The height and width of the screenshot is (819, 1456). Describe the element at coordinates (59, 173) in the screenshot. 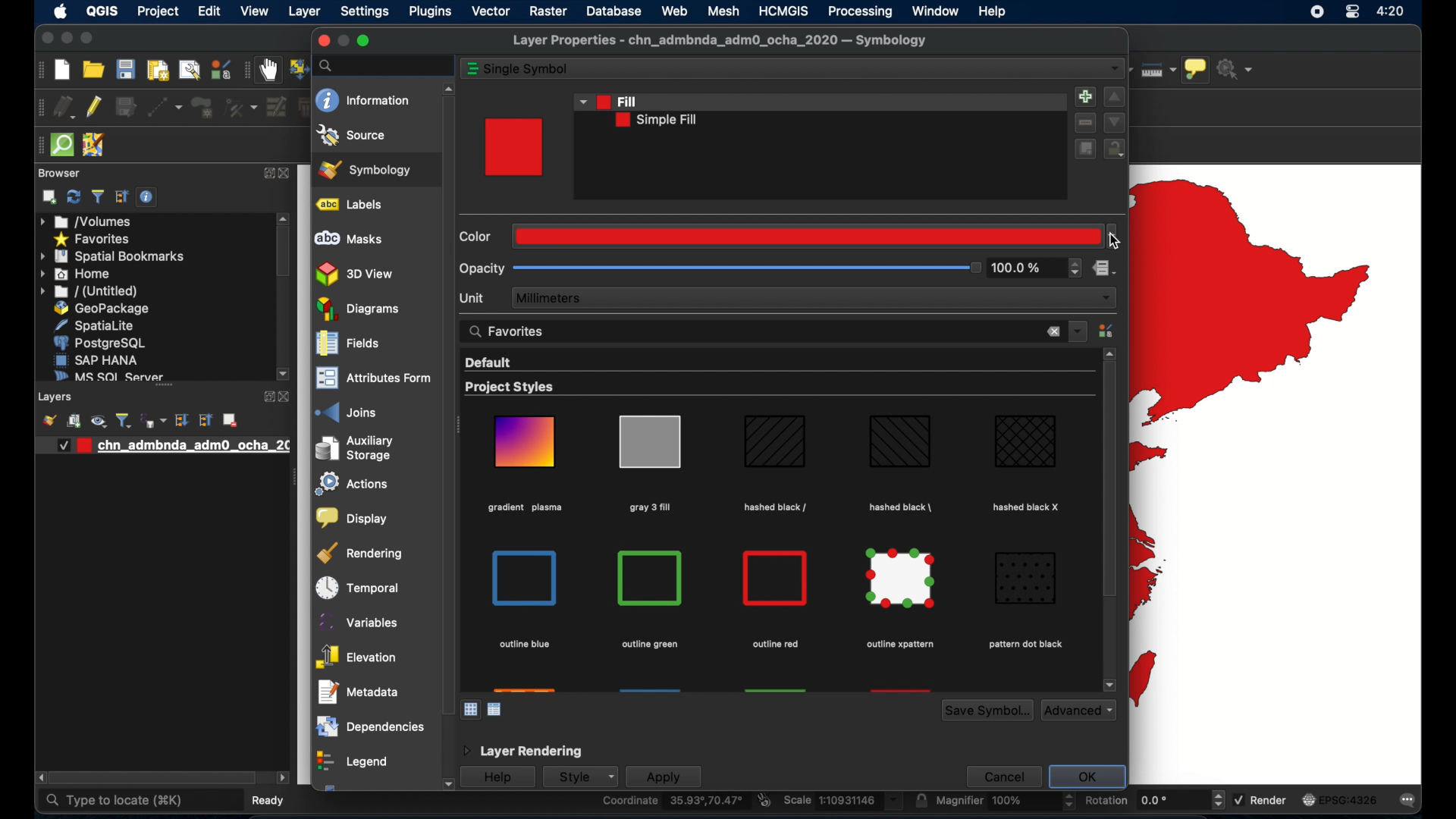

I see `browser` at that location.